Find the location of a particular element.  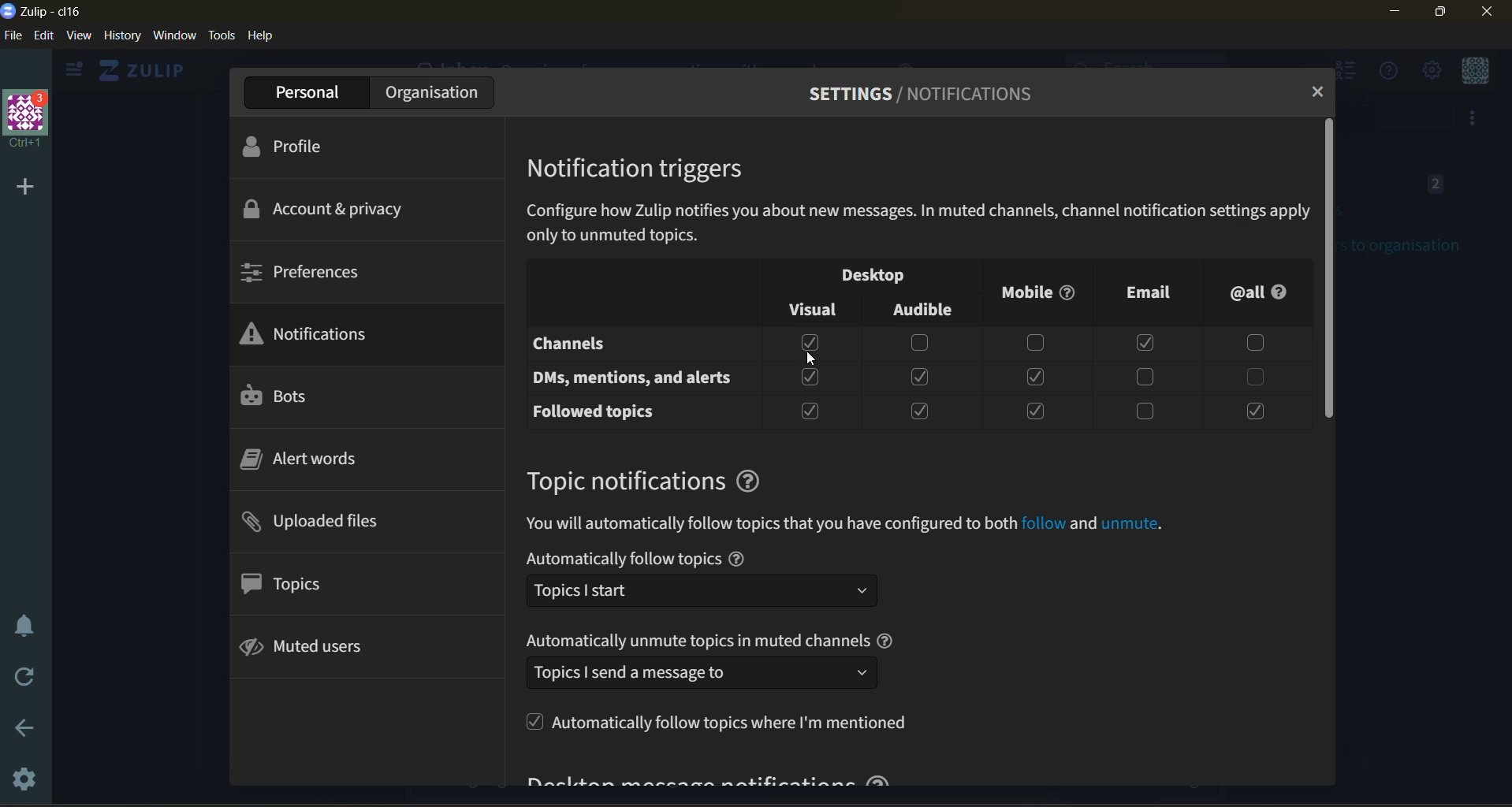

checkbox is located at coordinates (922, 378).